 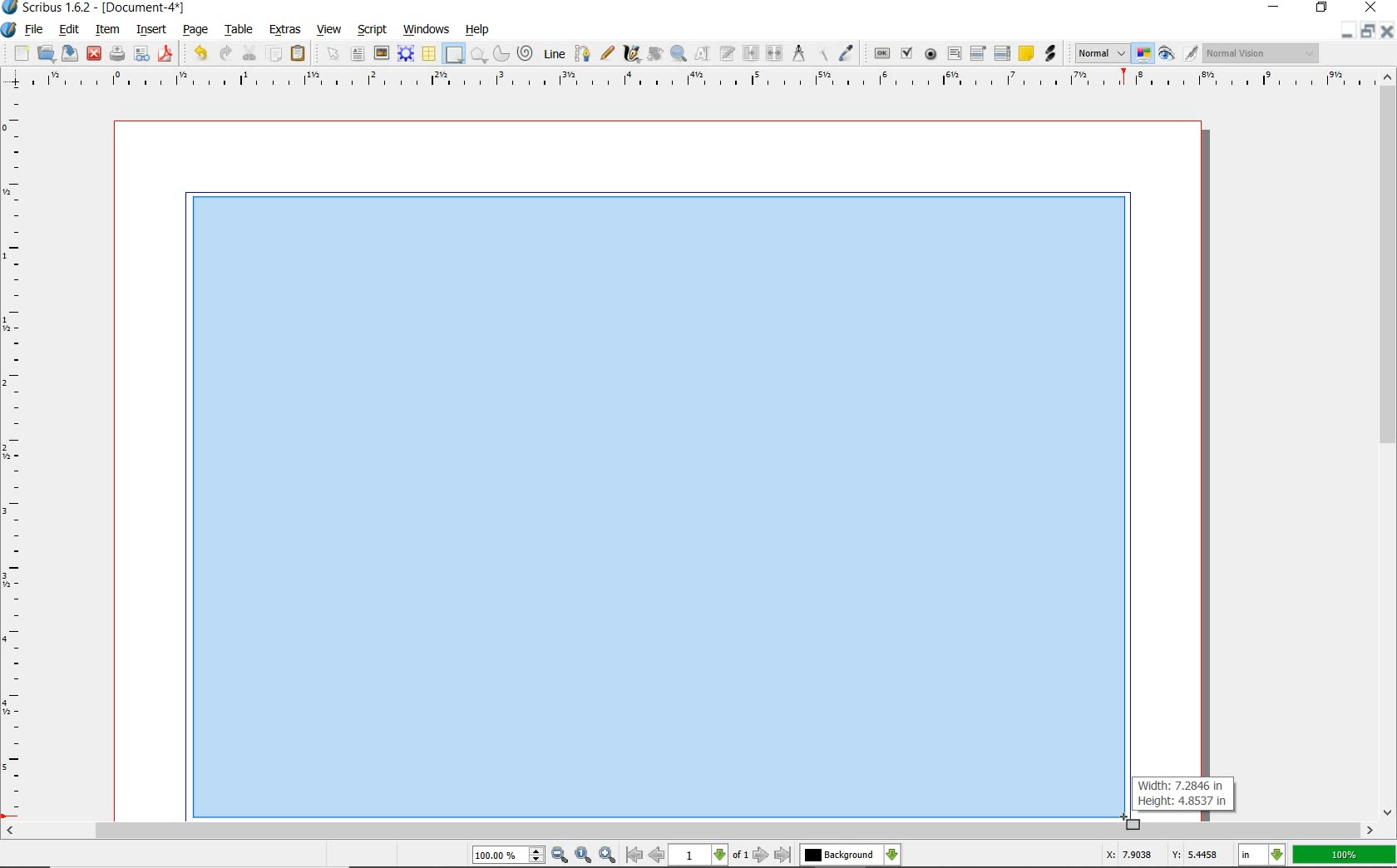 What do you see at coordinates (142, 54) in the screenshot?
I see `preflight verifier` at bounding box center [142, 54].